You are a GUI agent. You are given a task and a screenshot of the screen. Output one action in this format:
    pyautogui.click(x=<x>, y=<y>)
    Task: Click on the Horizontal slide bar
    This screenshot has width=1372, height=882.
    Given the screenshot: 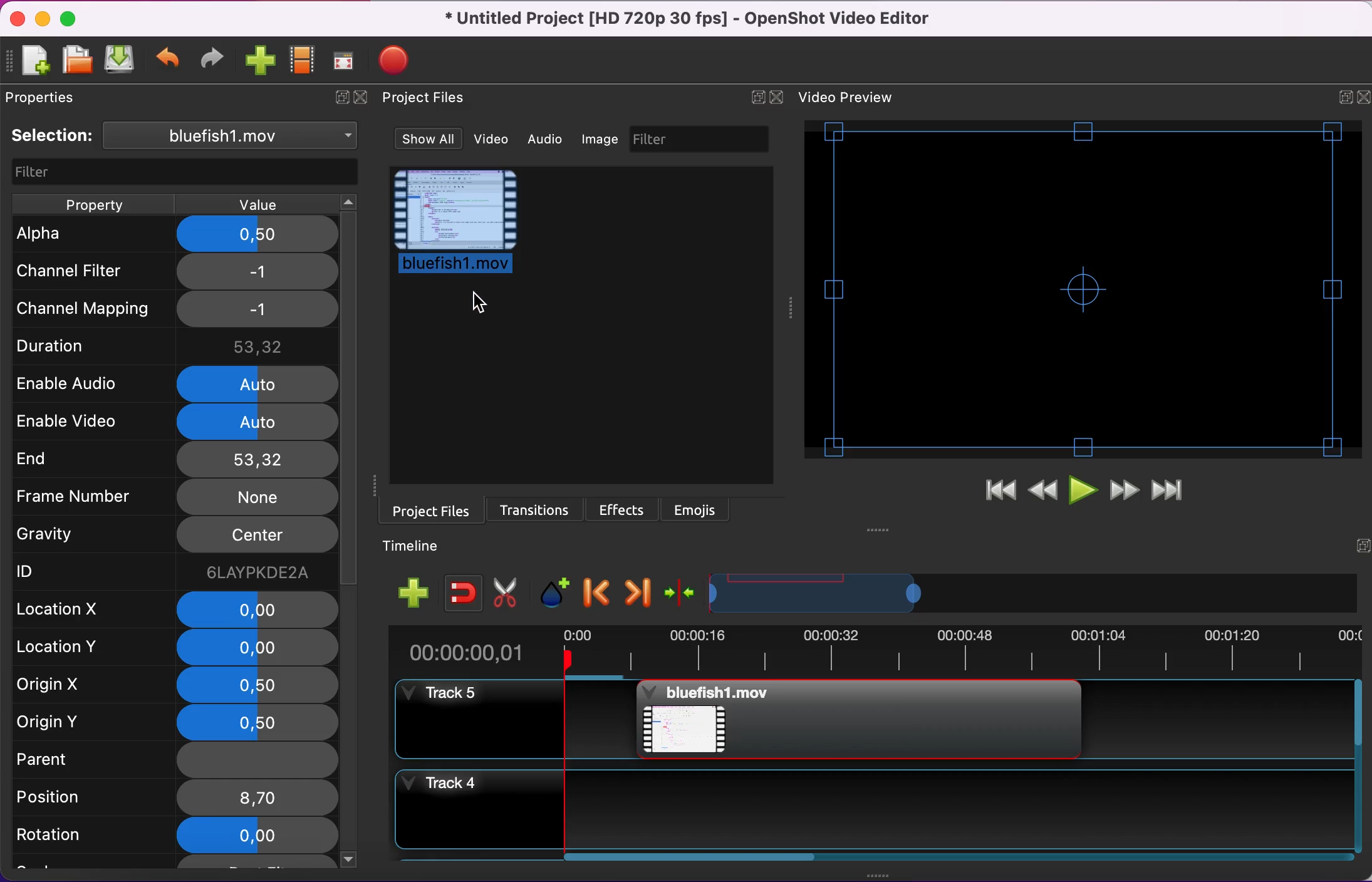 What is the action you would take?
    pyautogui.click(x=955, y=857)
    